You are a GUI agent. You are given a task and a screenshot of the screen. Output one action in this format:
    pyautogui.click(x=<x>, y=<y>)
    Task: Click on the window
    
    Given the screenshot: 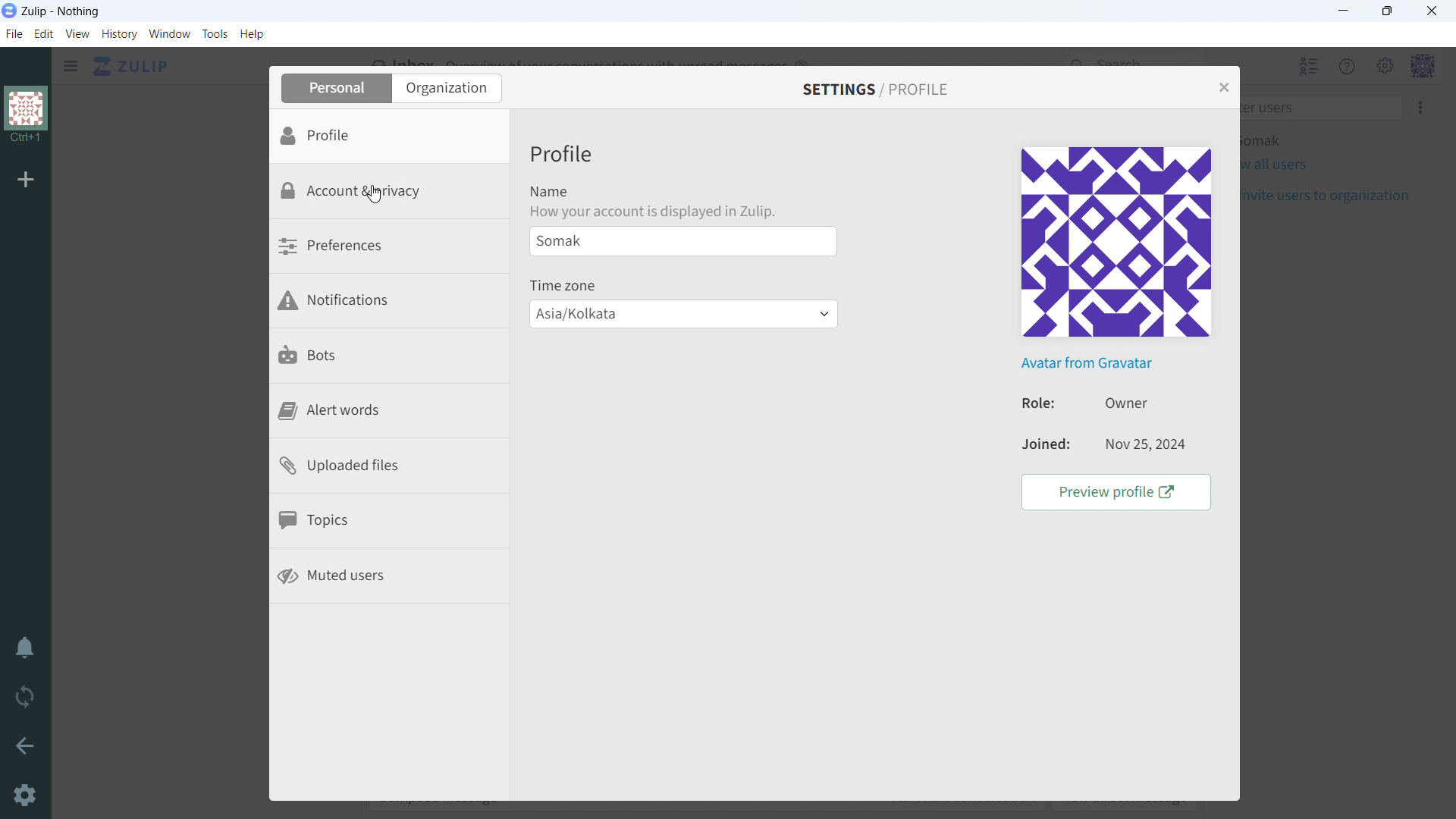 What is the action you would take?
    pyautogui.click(x=171, y=34)
    